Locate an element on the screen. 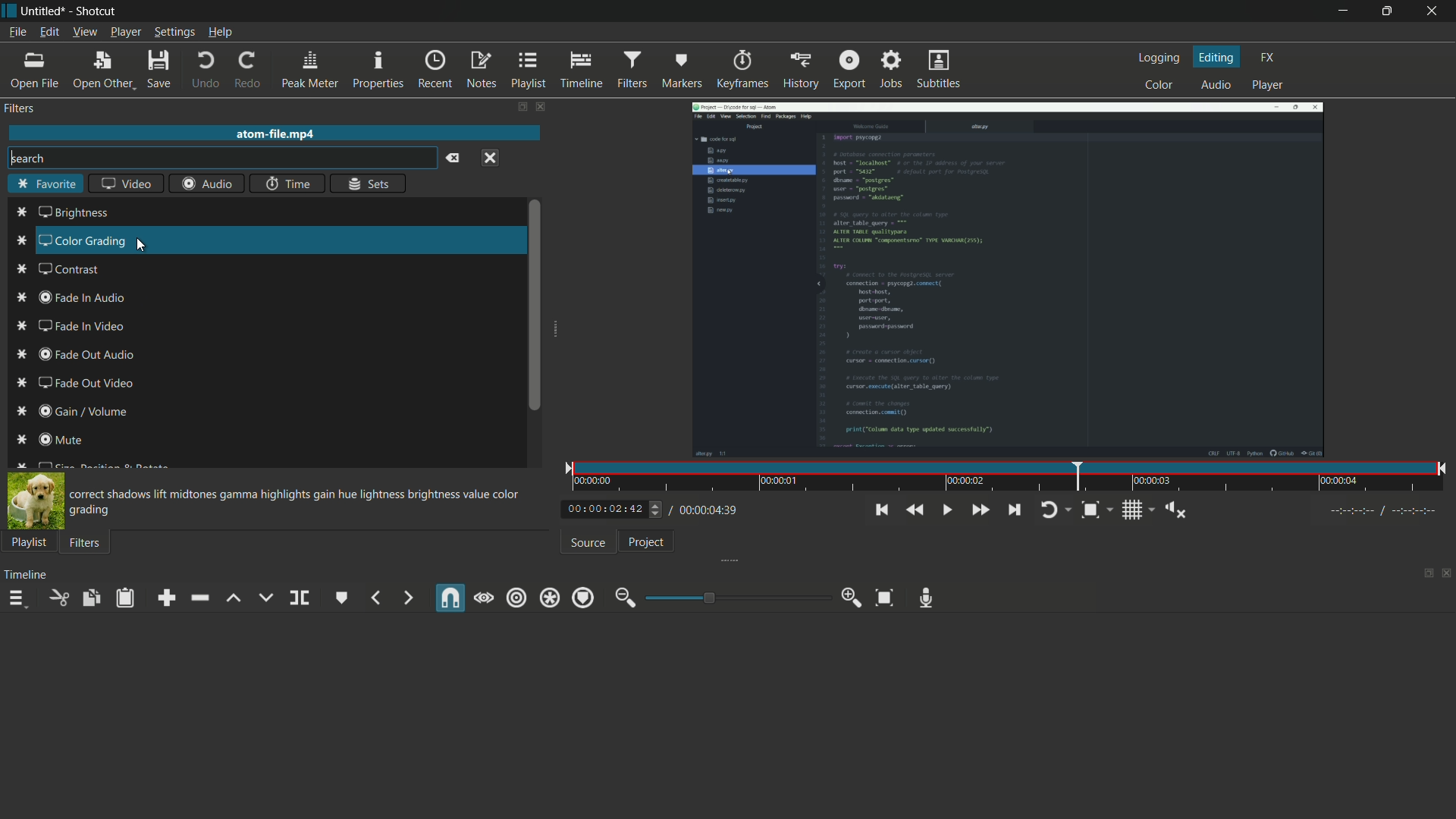 This screenshot has width=1456, height=819. ripple is located at coordinates (516, 597).